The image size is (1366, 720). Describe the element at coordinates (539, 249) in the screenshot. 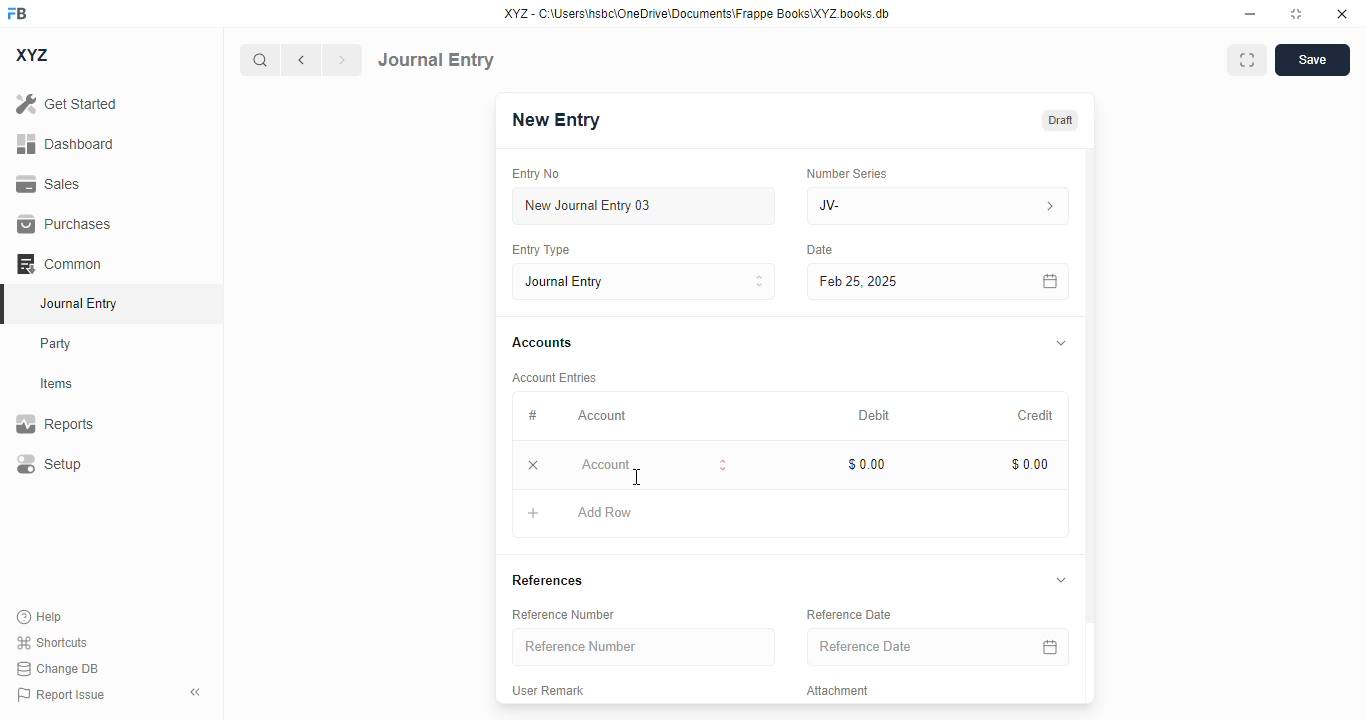

I see `entry type` at that location.